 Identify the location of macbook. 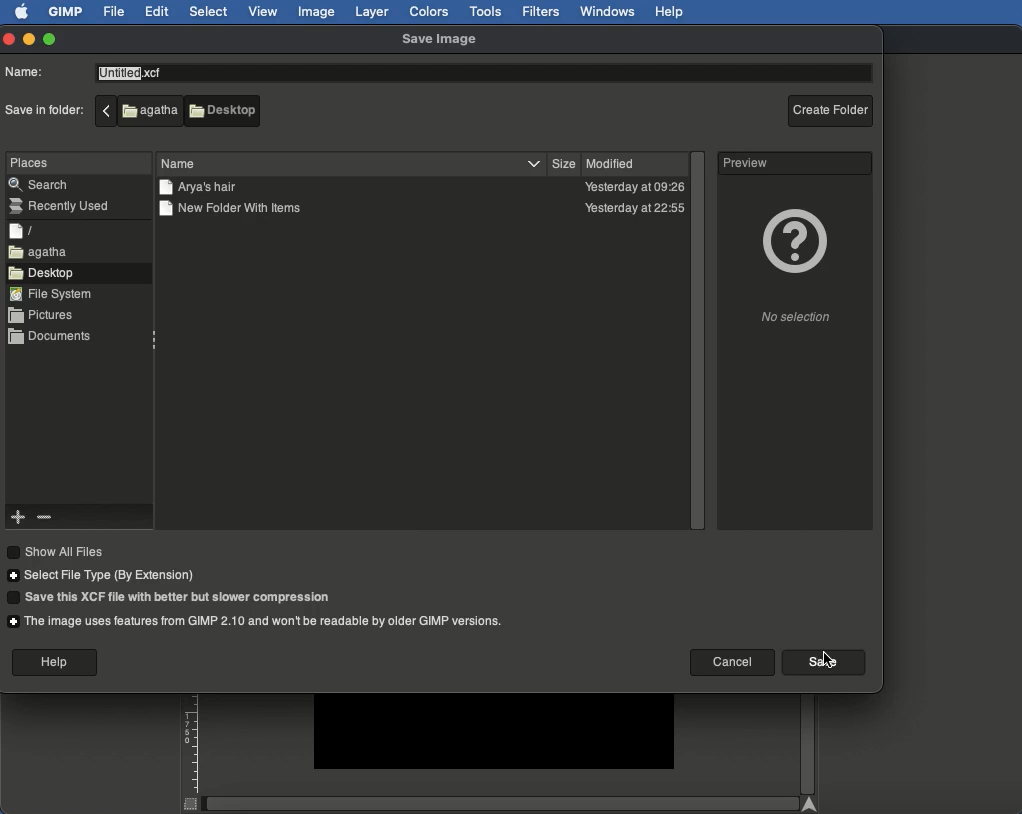
(40, 252).